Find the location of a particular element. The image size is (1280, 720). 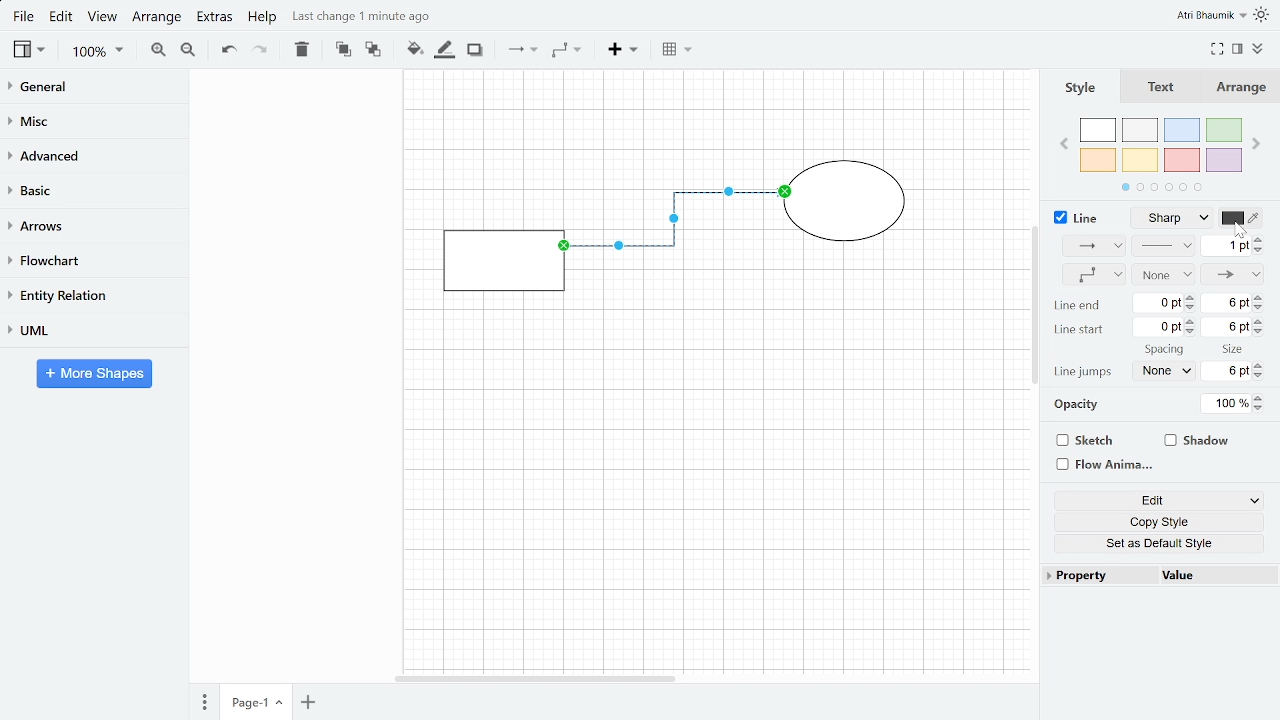

Shadow is located at coordinates (1210, 440).